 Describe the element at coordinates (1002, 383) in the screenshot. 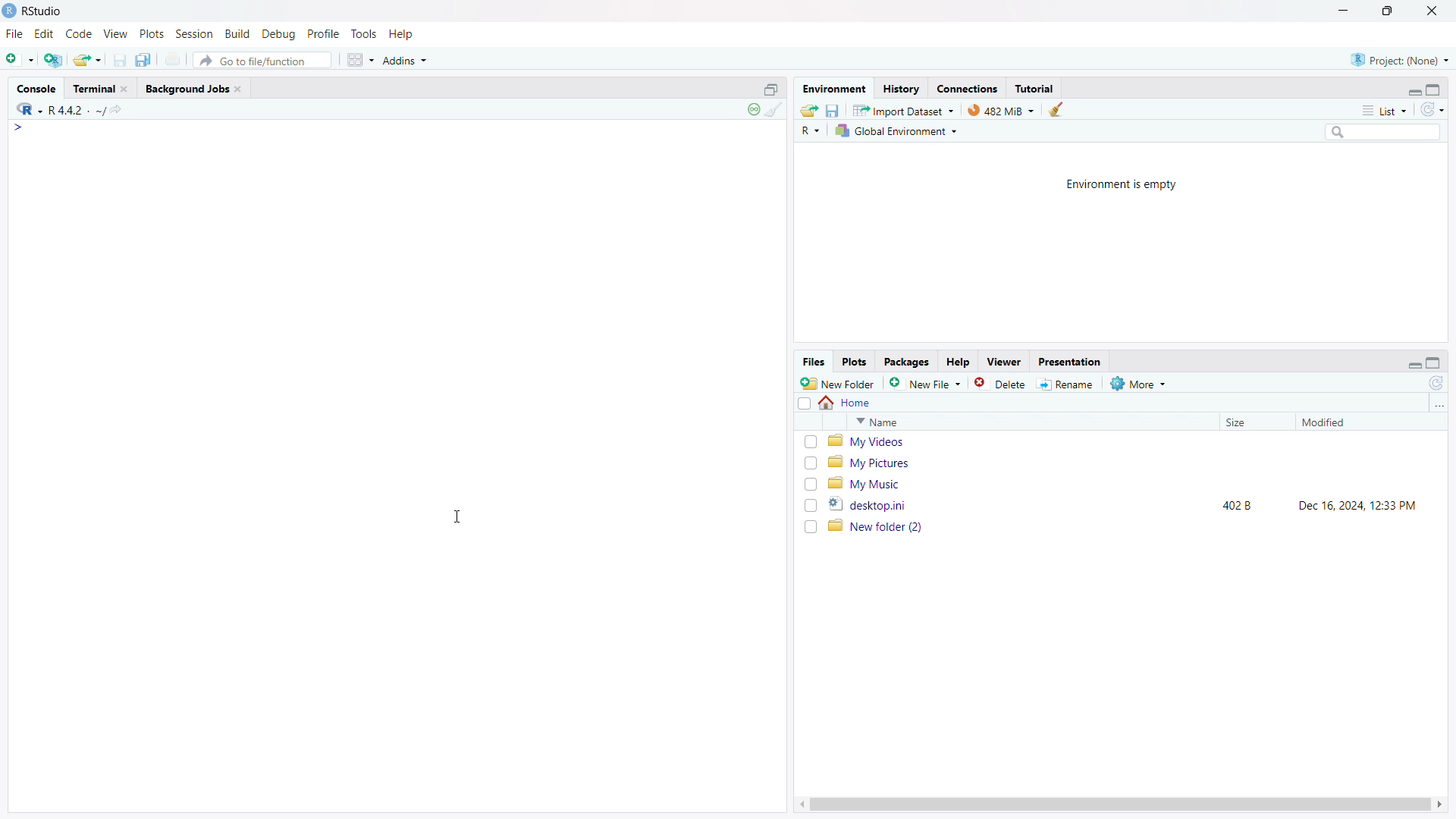

I see `delete` at that location.